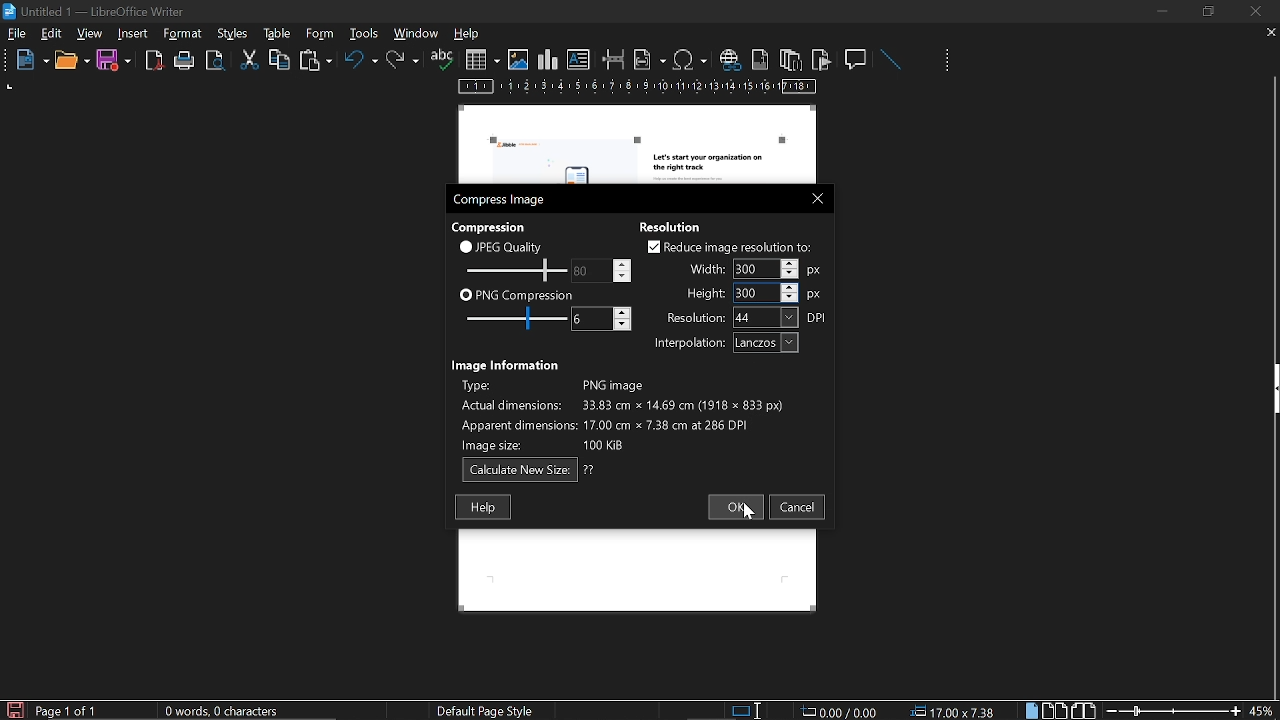 The width and height of the screenshot is (1280, 720). What do you see at coordinates (1211, 11) in the screenshot?
I see `restore down` at bounding box center [1211, 11].